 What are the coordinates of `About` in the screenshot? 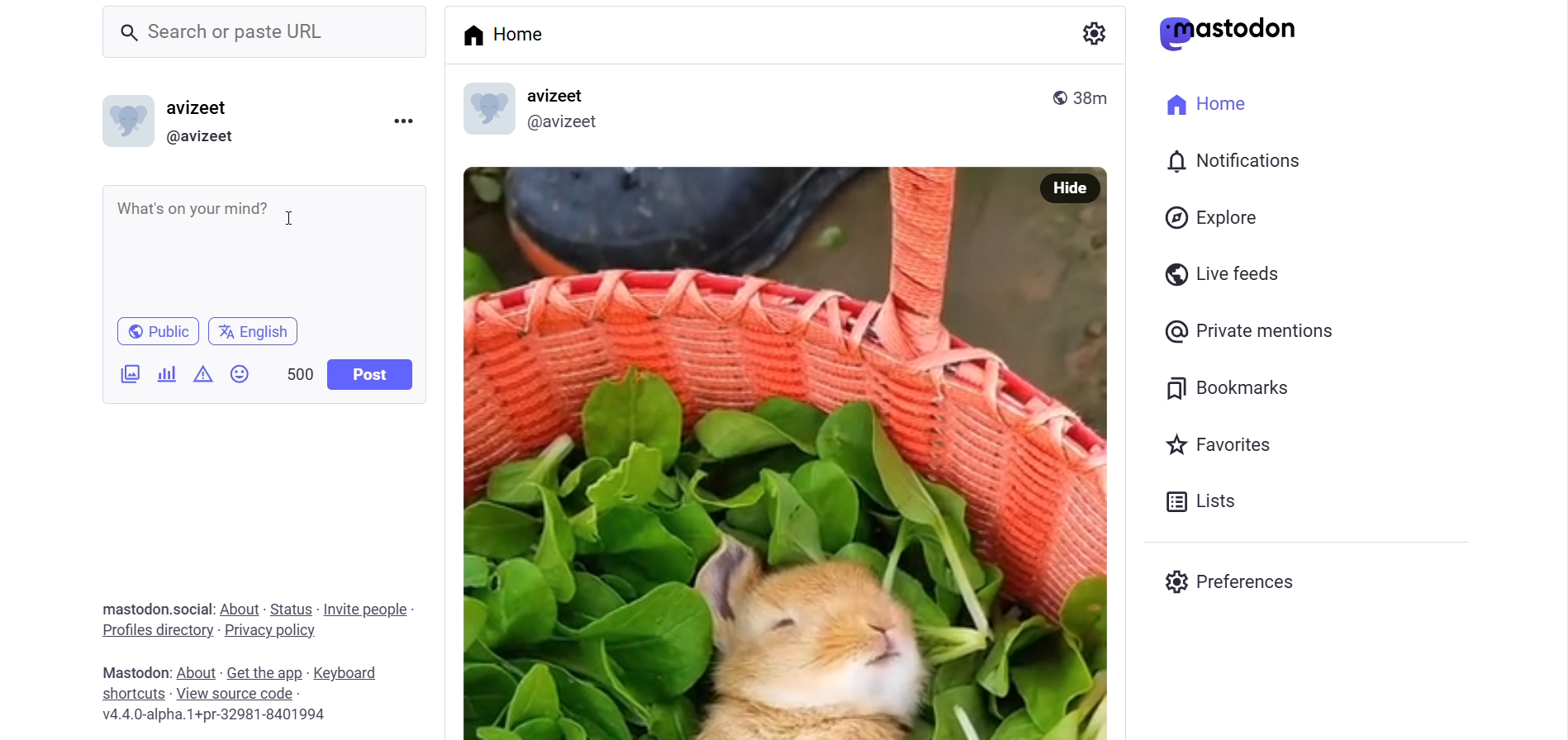 It's located at (239, 608).